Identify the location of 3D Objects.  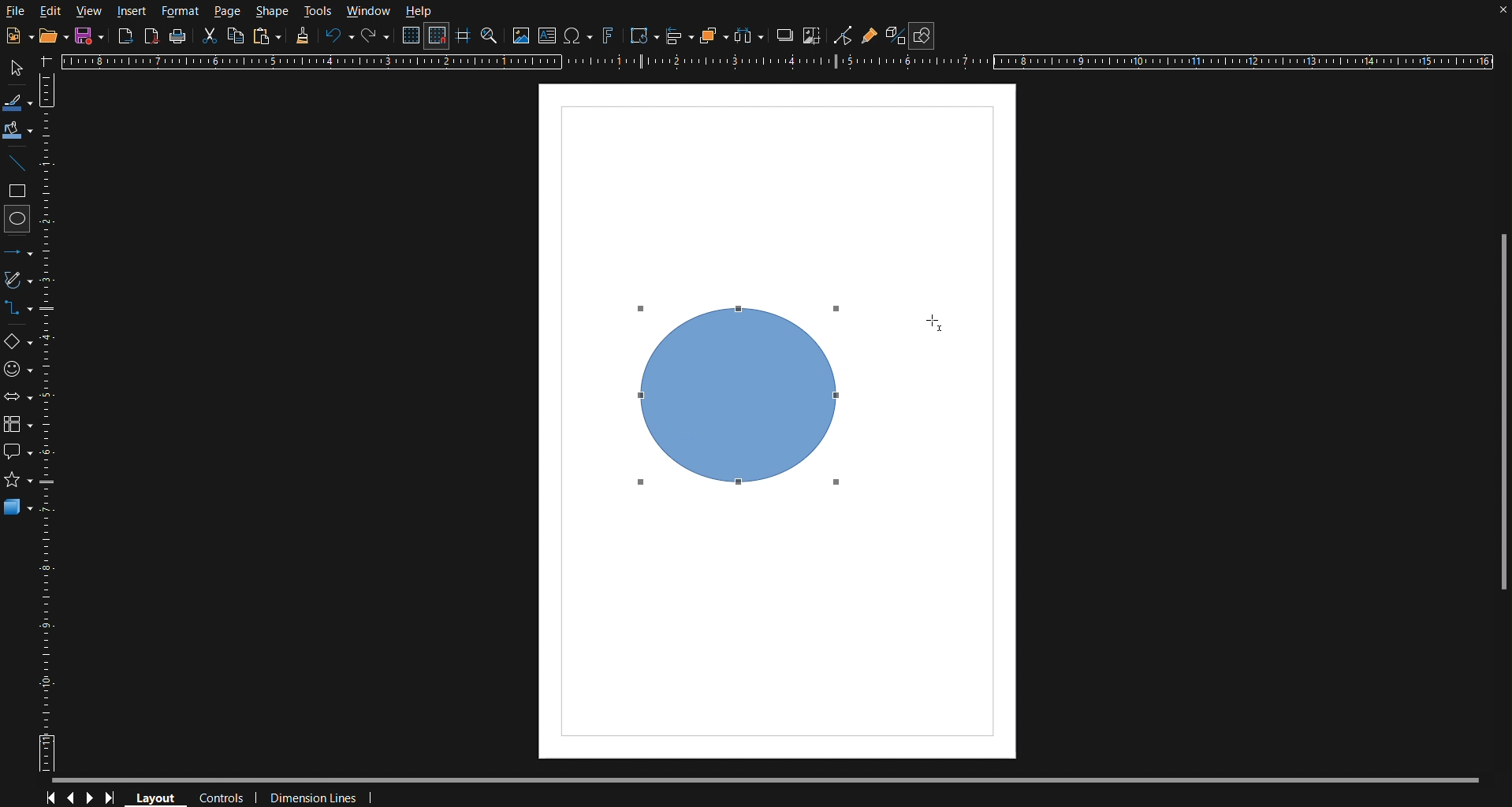
(23, 508).